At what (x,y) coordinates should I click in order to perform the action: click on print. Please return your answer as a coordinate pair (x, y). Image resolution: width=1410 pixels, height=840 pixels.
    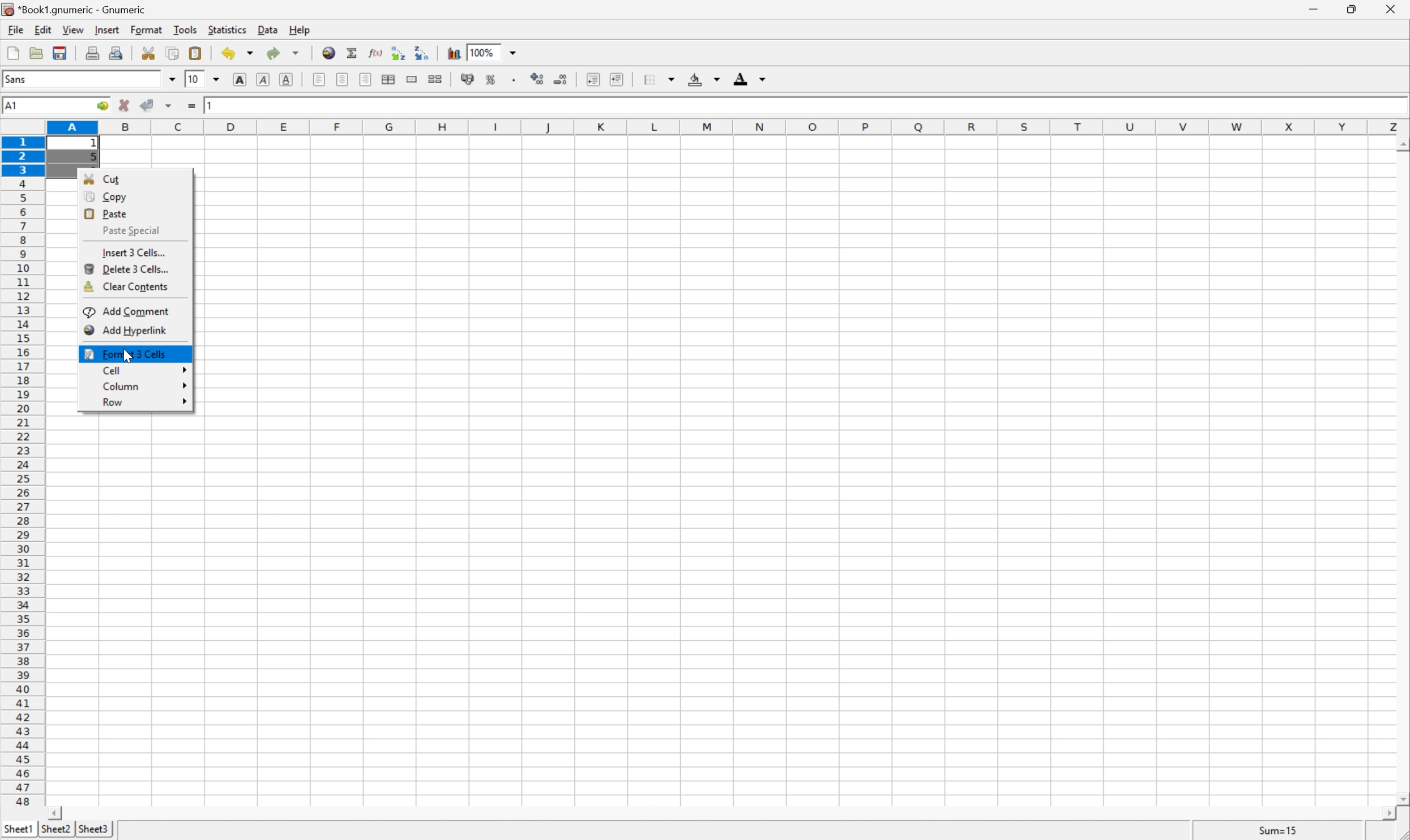
    Looking at the image, I should click on (91, 51).